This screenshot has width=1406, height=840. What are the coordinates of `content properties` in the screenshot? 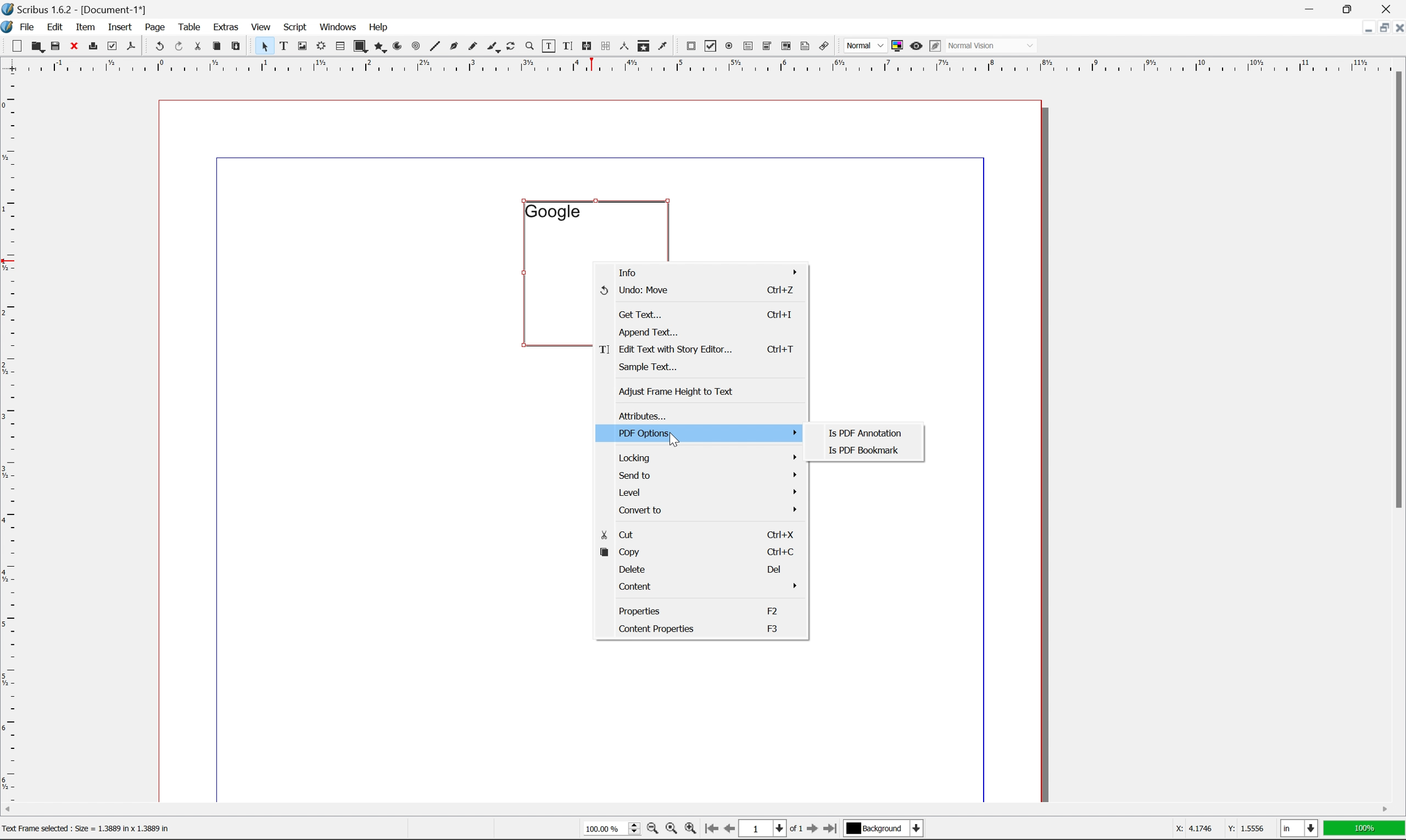 It's located at (657, 630).